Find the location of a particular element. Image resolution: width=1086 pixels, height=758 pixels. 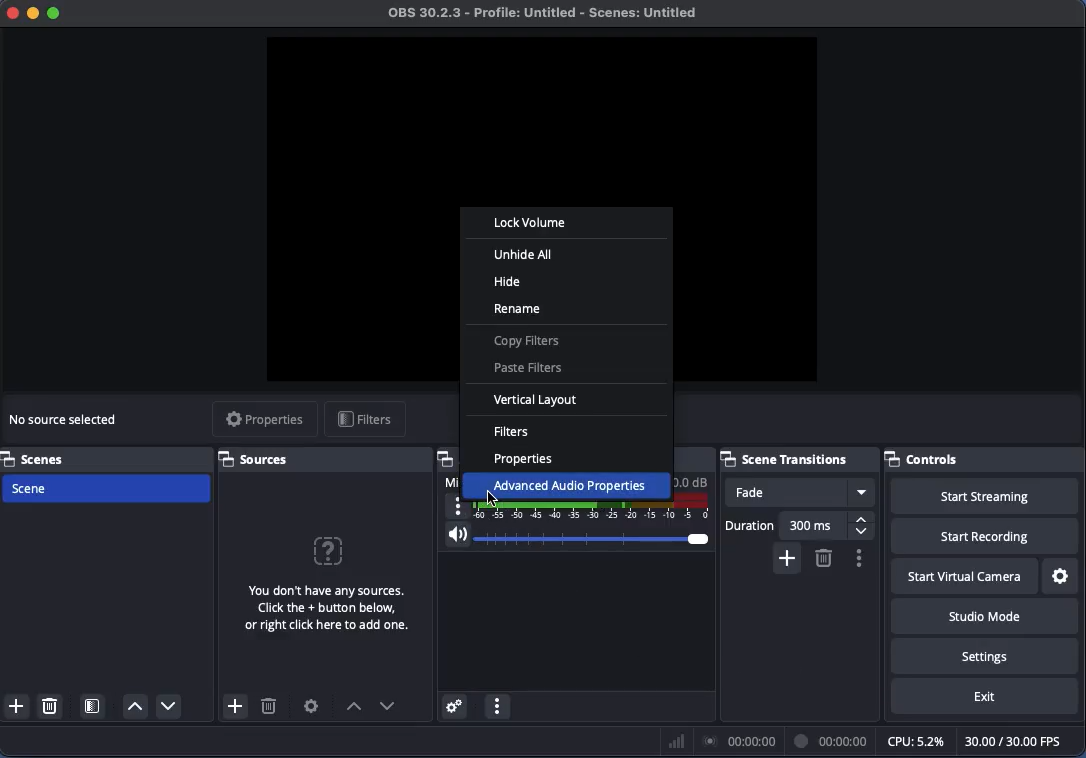

Filters is located at coordinates (365, 421).